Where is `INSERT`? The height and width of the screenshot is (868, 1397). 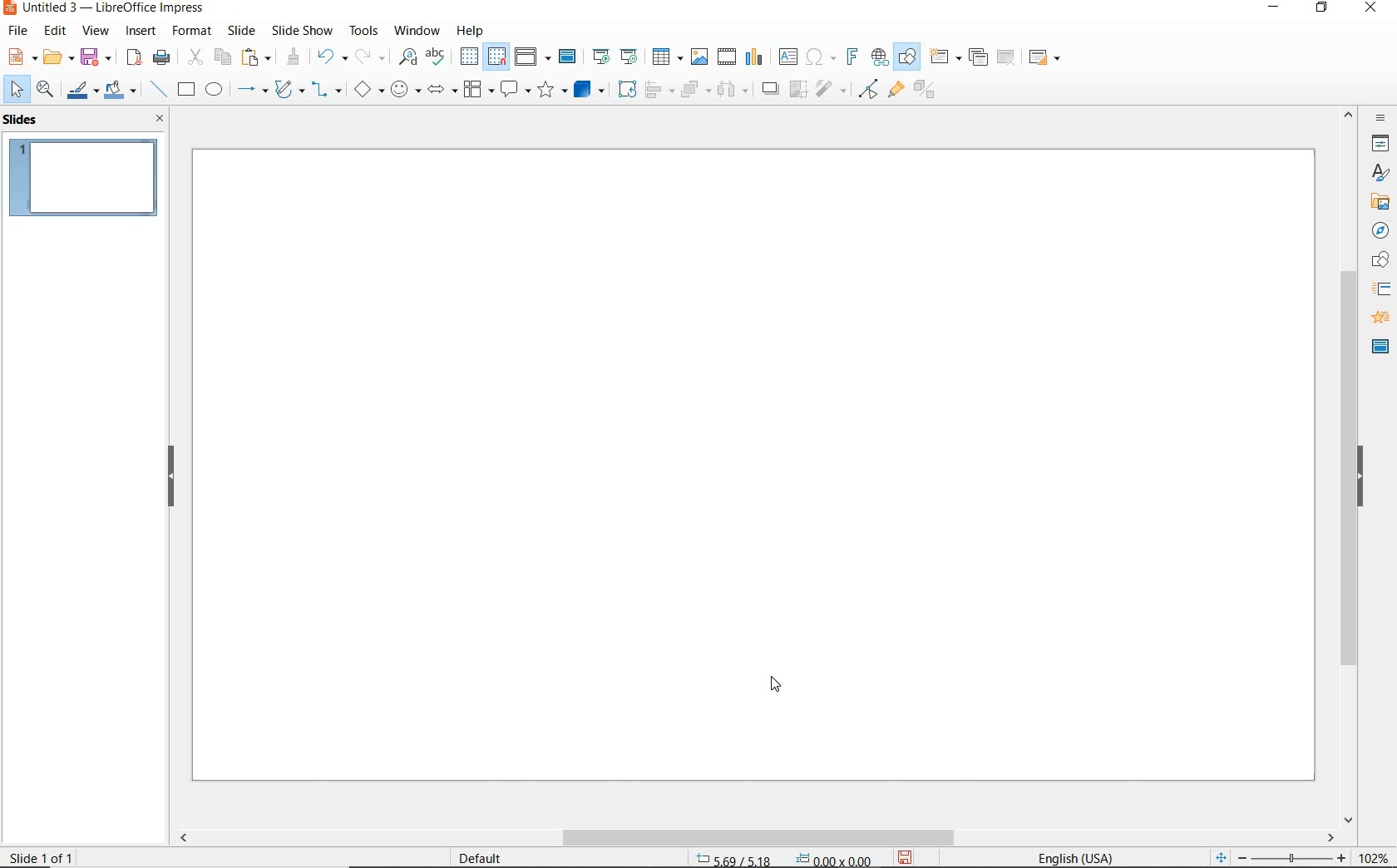
INSERT is located at coordinates (141, 32).